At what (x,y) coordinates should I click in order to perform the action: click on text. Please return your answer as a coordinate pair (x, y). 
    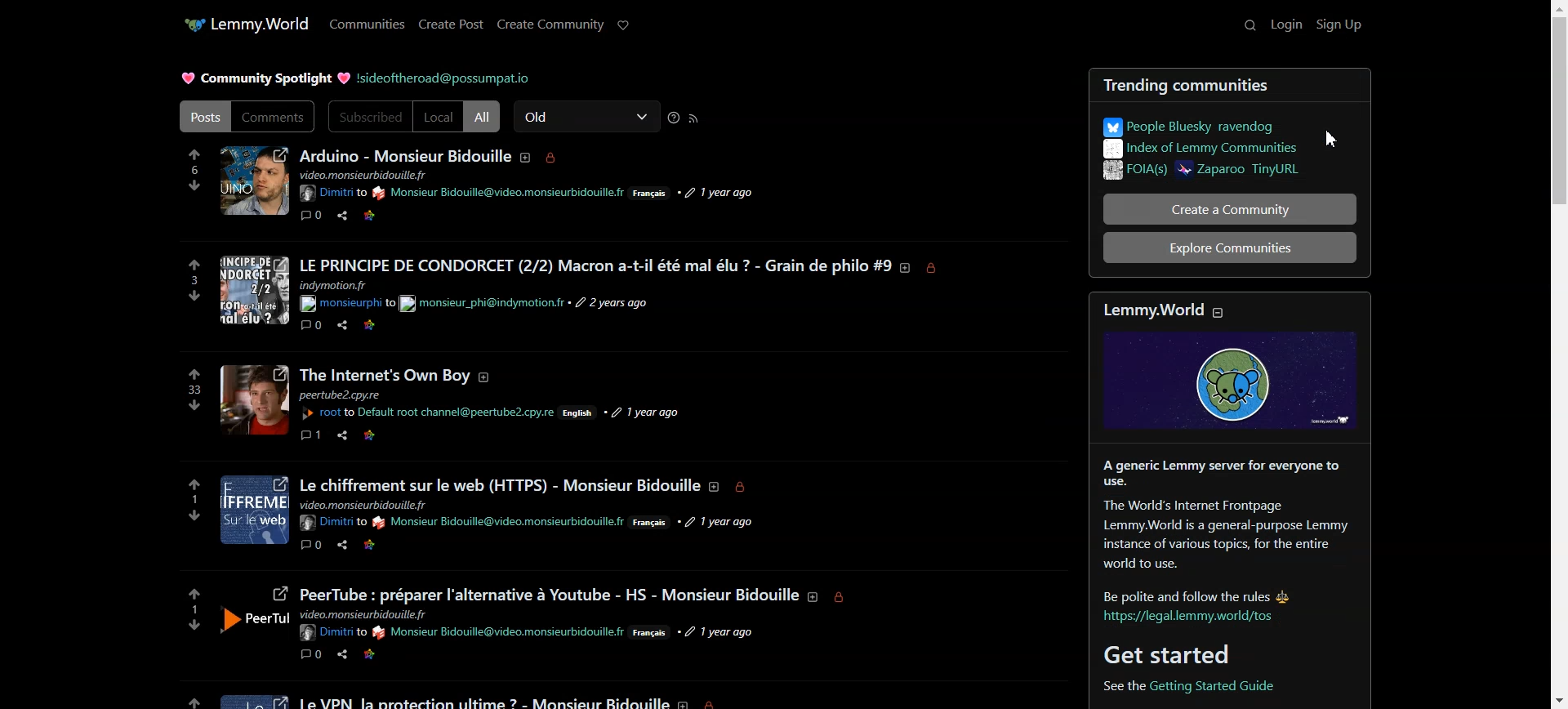
    Looking at the image, I should click on (550, 587).